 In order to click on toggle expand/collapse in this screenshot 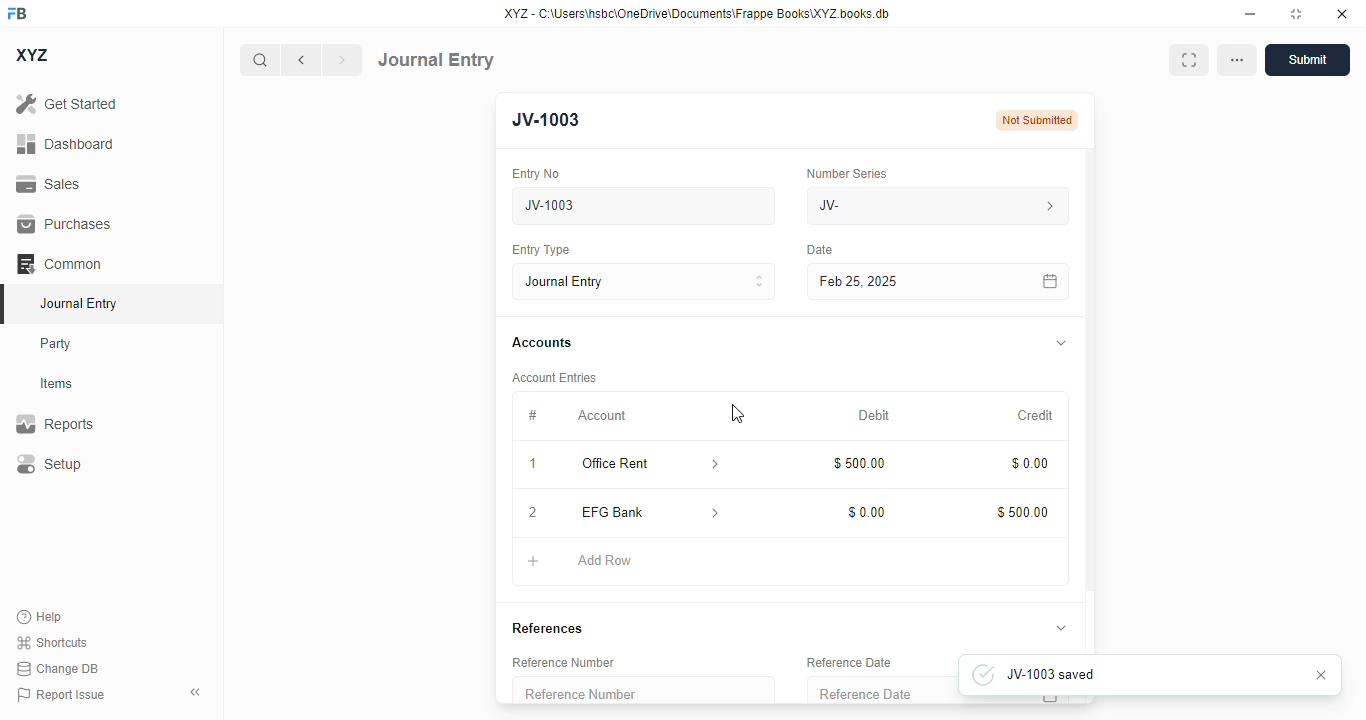, I will do `click(1060, 627)`.